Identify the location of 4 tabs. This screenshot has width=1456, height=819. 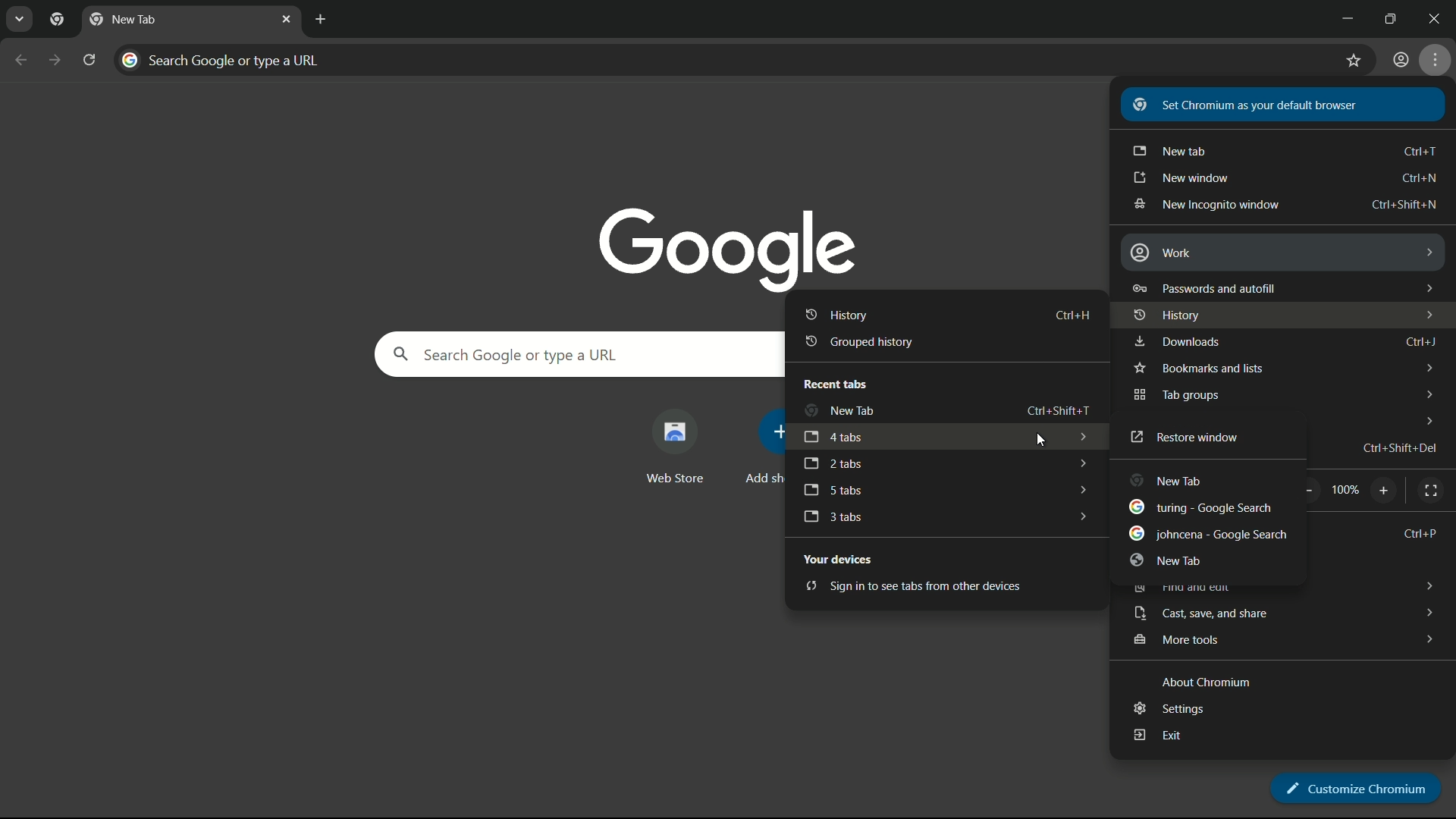
(832, 438).